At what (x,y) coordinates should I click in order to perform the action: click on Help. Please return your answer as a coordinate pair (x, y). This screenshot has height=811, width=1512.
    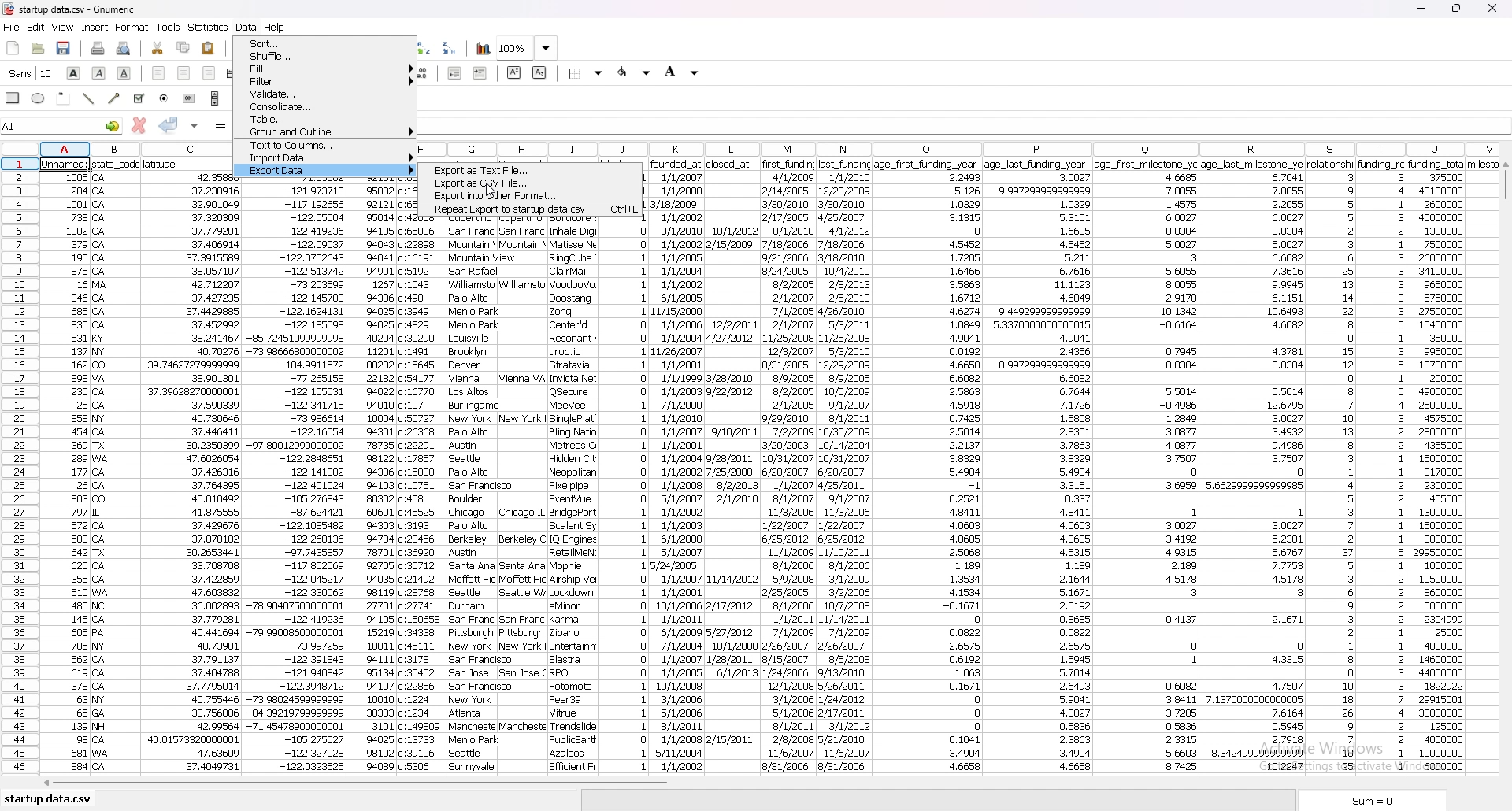
    Looking at the image, I should click on (283, 25).